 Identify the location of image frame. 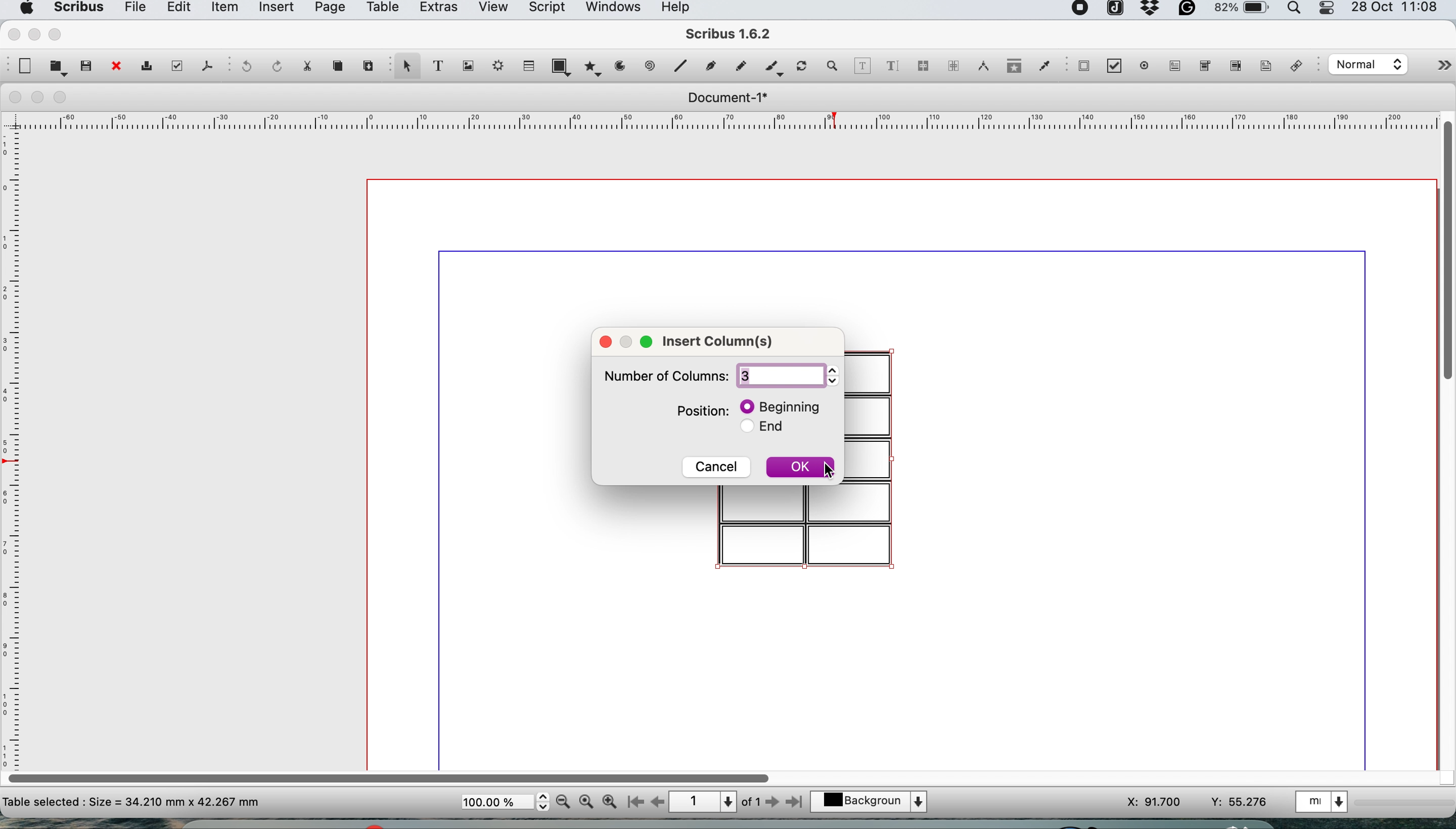
(466, 66).